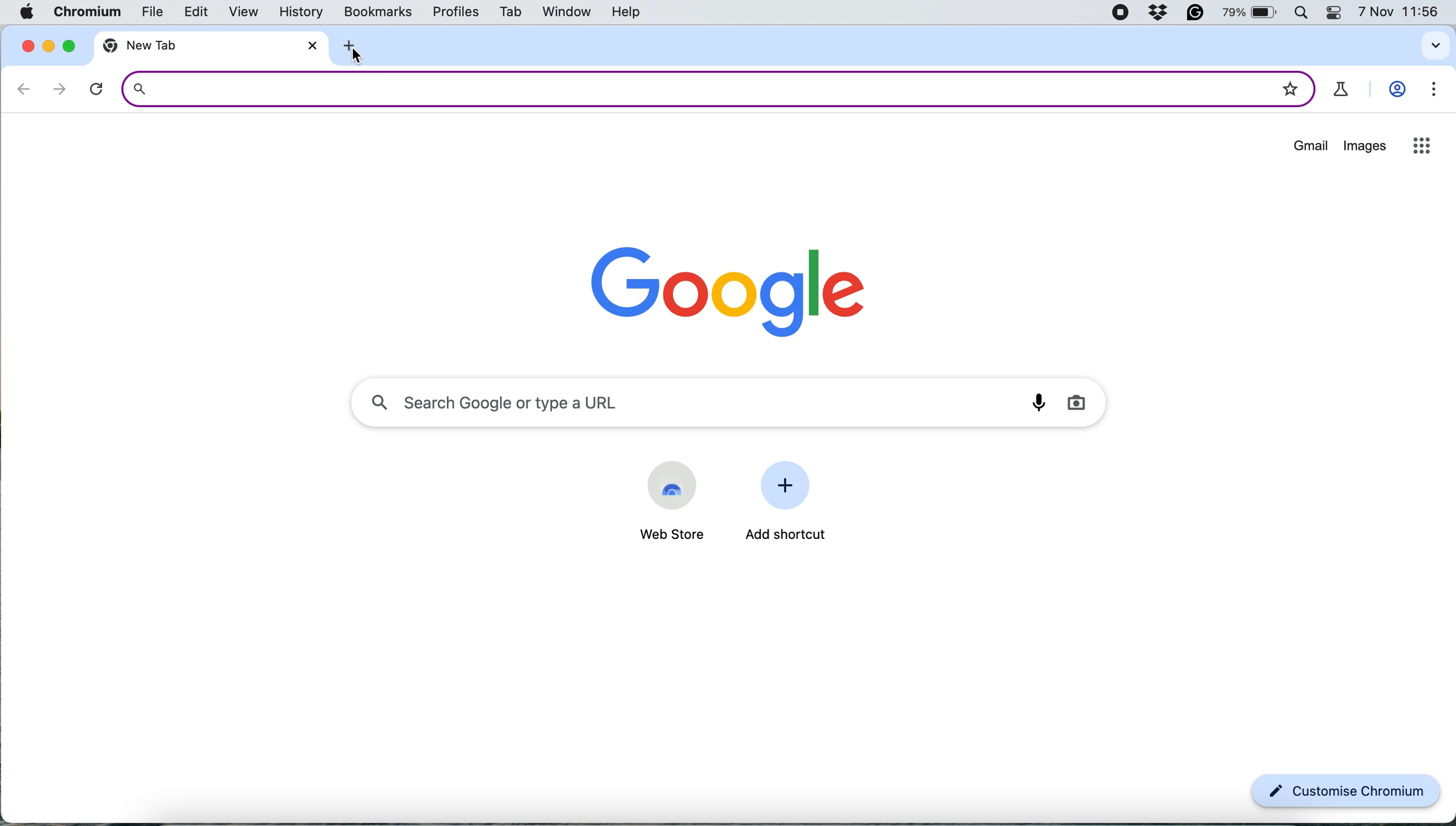  What do you see at coordinates (24, 88) in the screenshot?
I see `go back` at bounding box center [24, 88].